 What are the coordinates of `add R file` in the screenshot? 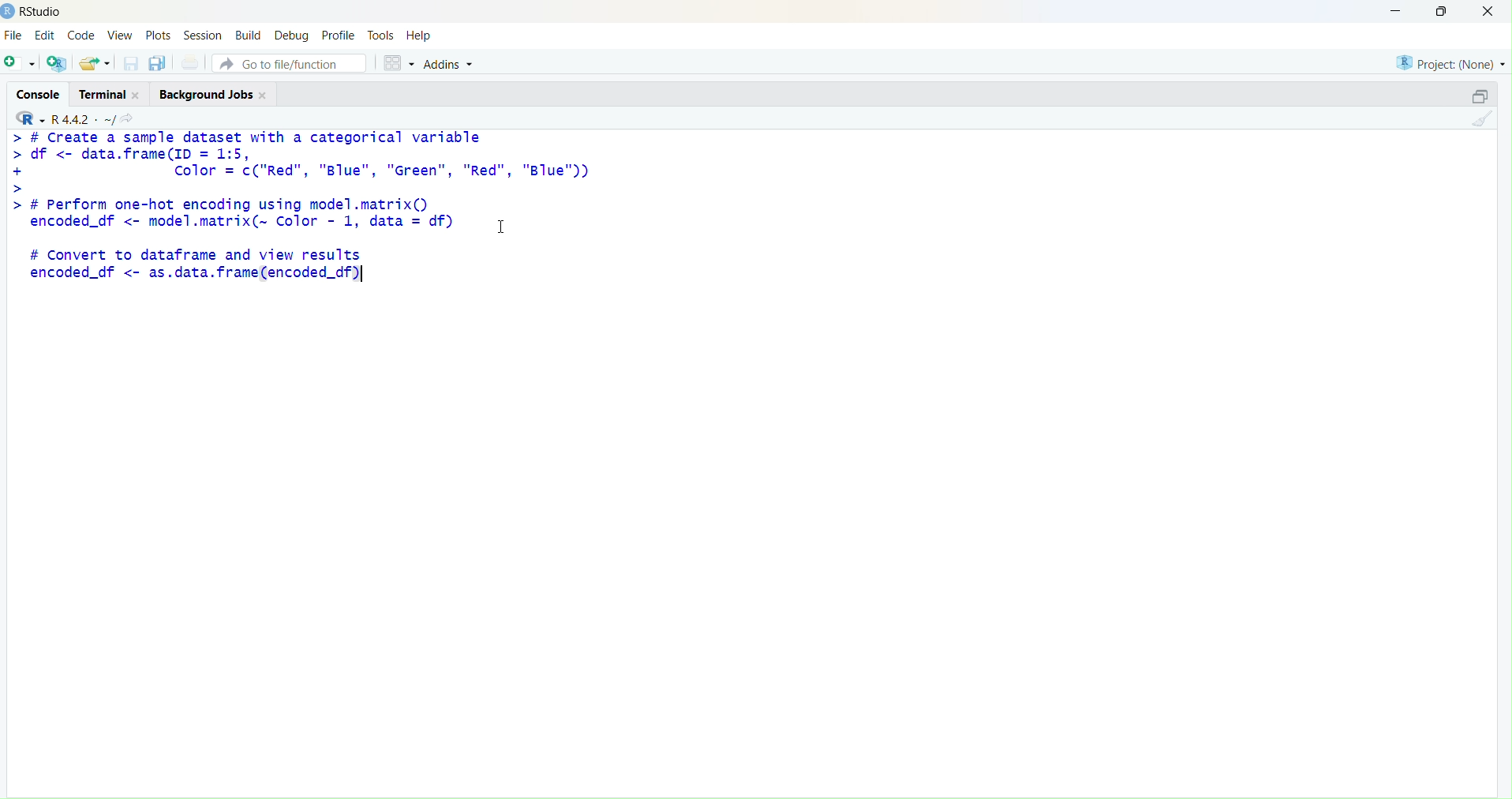 It's located at (57, 63).